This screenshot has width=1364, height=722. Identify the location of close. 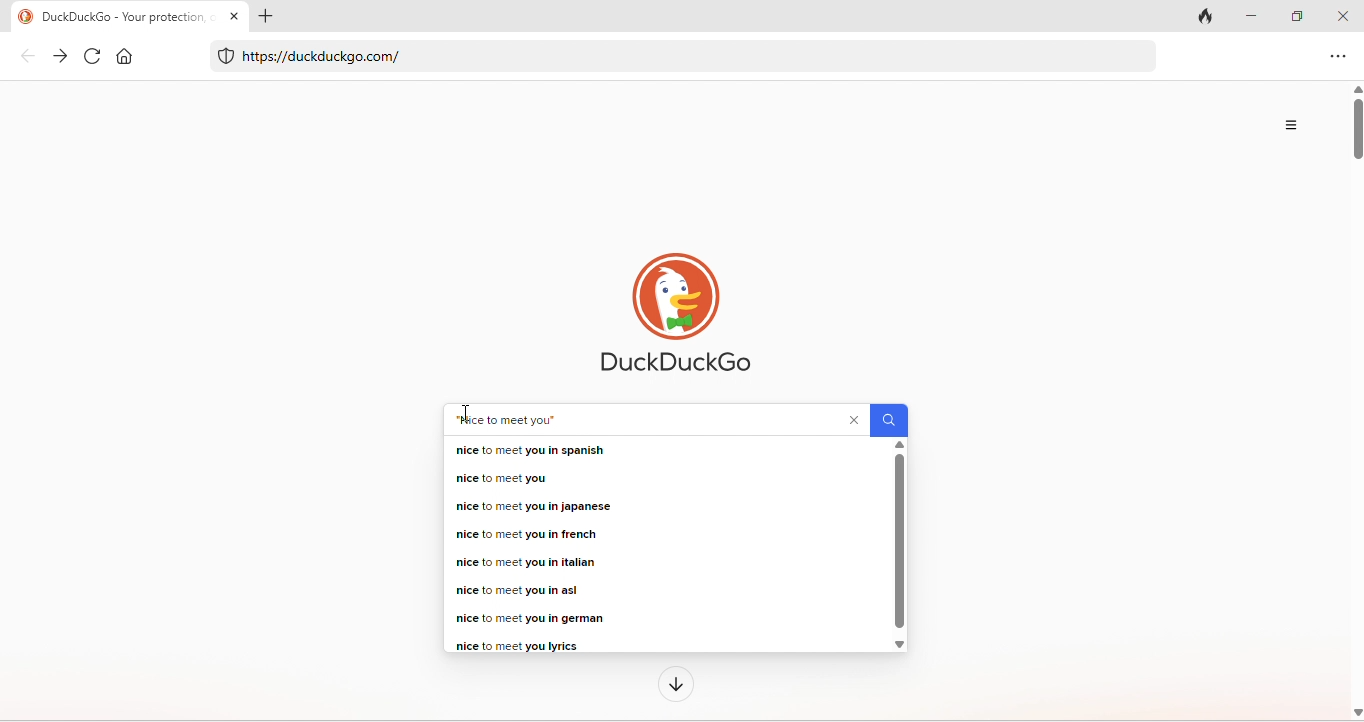
(856, 420).